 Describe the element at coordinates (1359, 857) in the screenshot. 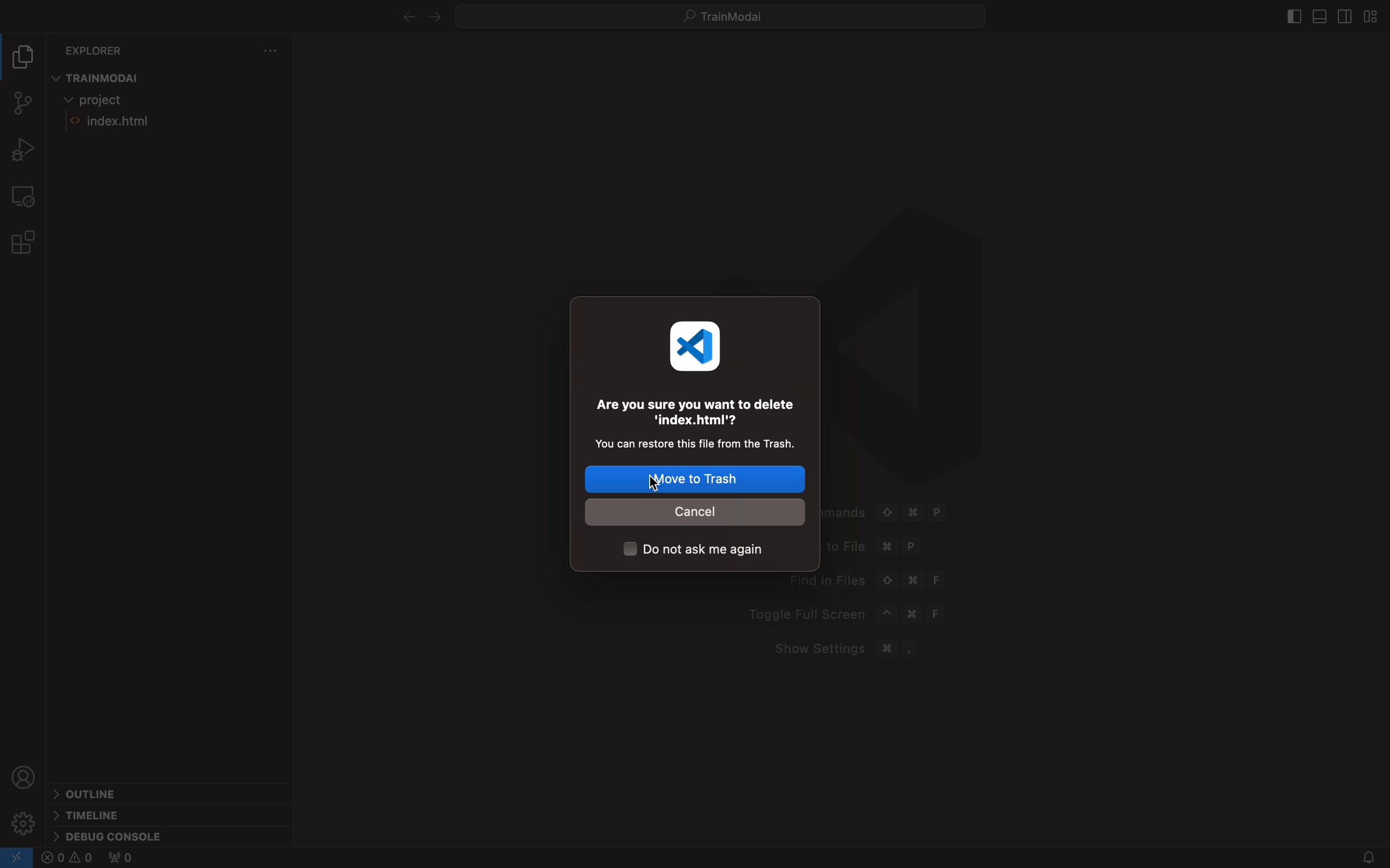

I see `notification` at that location.